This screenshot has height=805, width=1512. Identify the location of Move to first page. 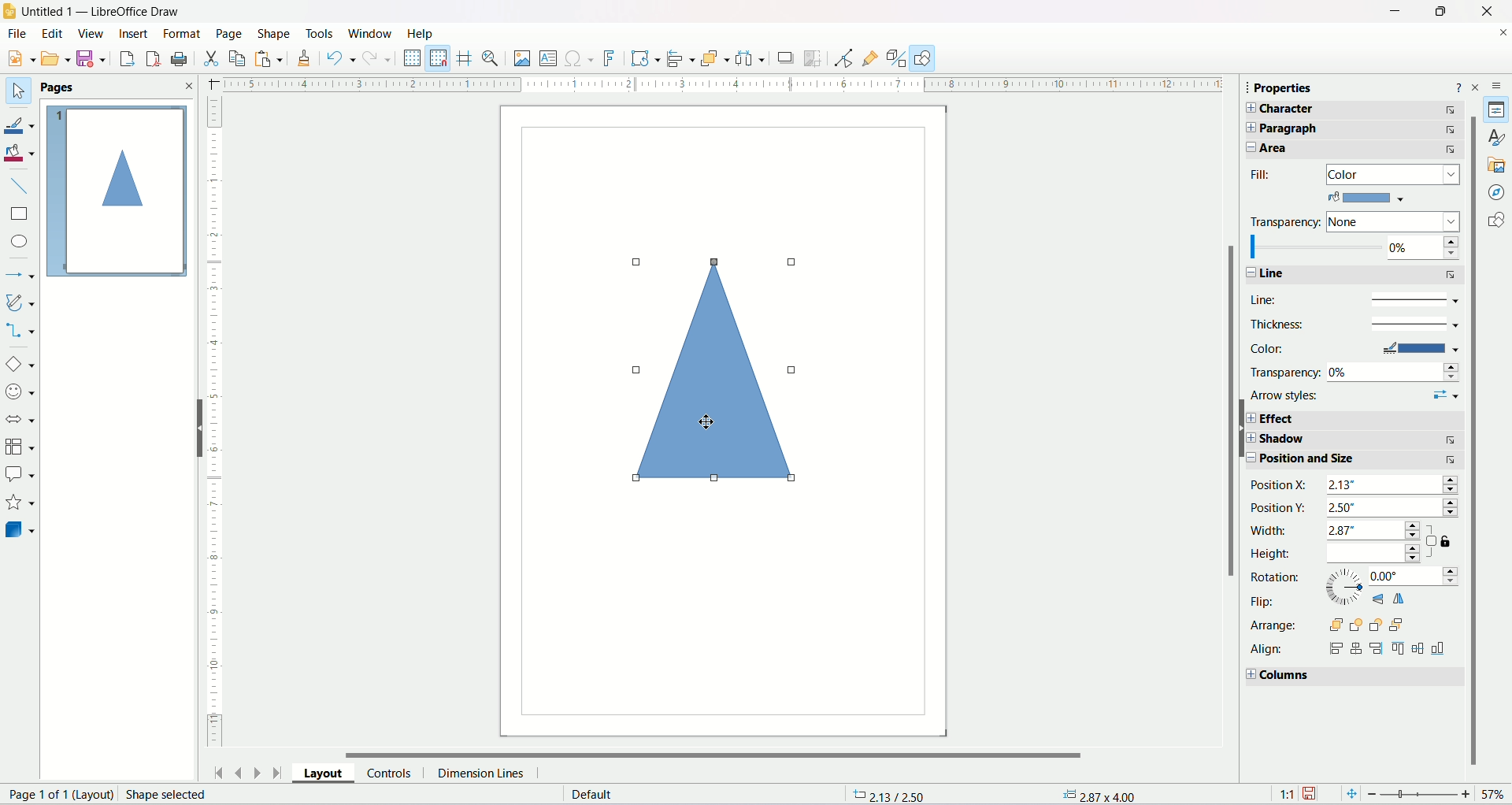
(217, 774).